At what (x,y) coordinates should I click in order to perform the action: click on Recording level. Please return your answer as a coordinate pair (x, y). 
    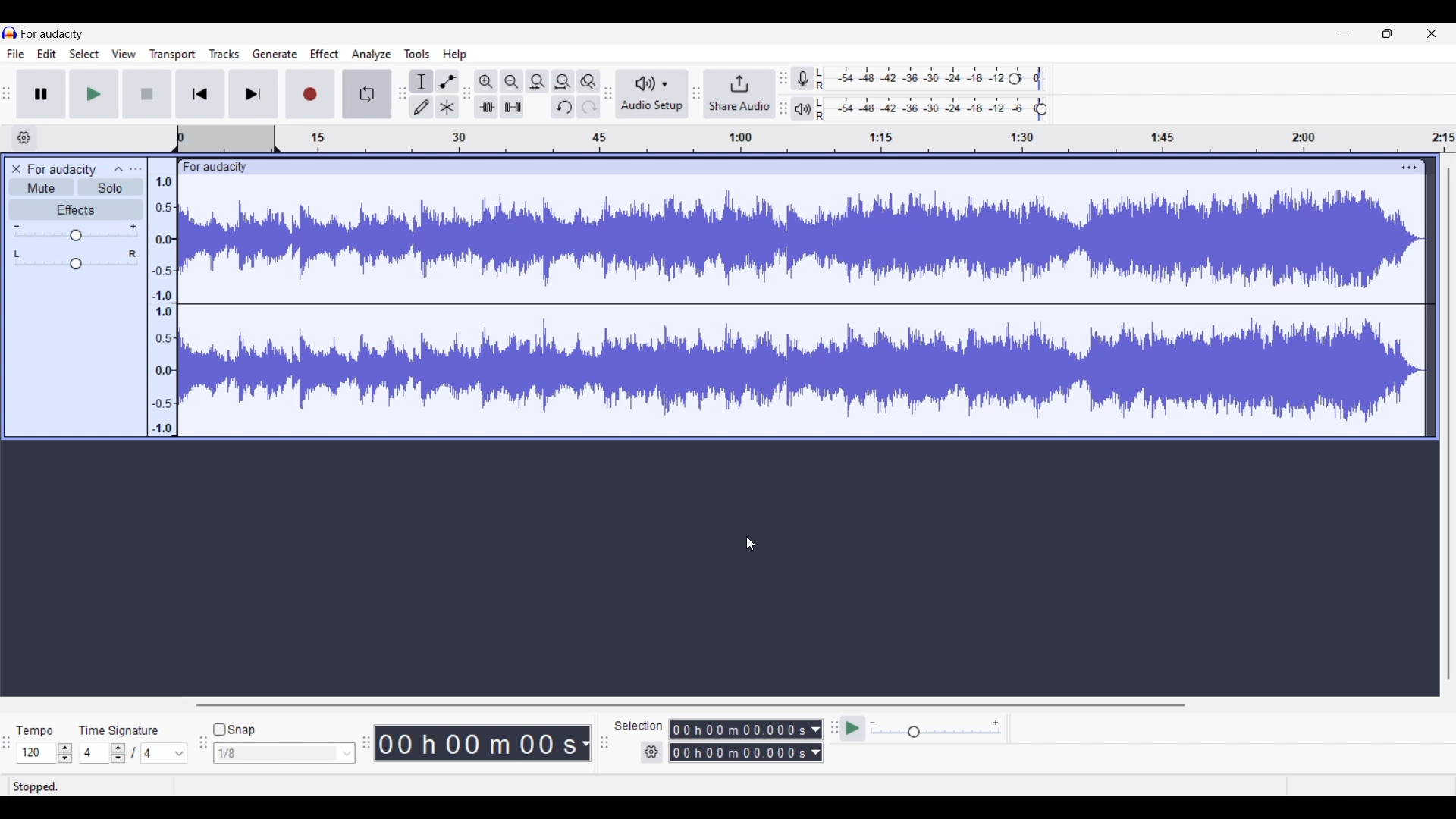
    Looking at the image, I should click on (940, 80).